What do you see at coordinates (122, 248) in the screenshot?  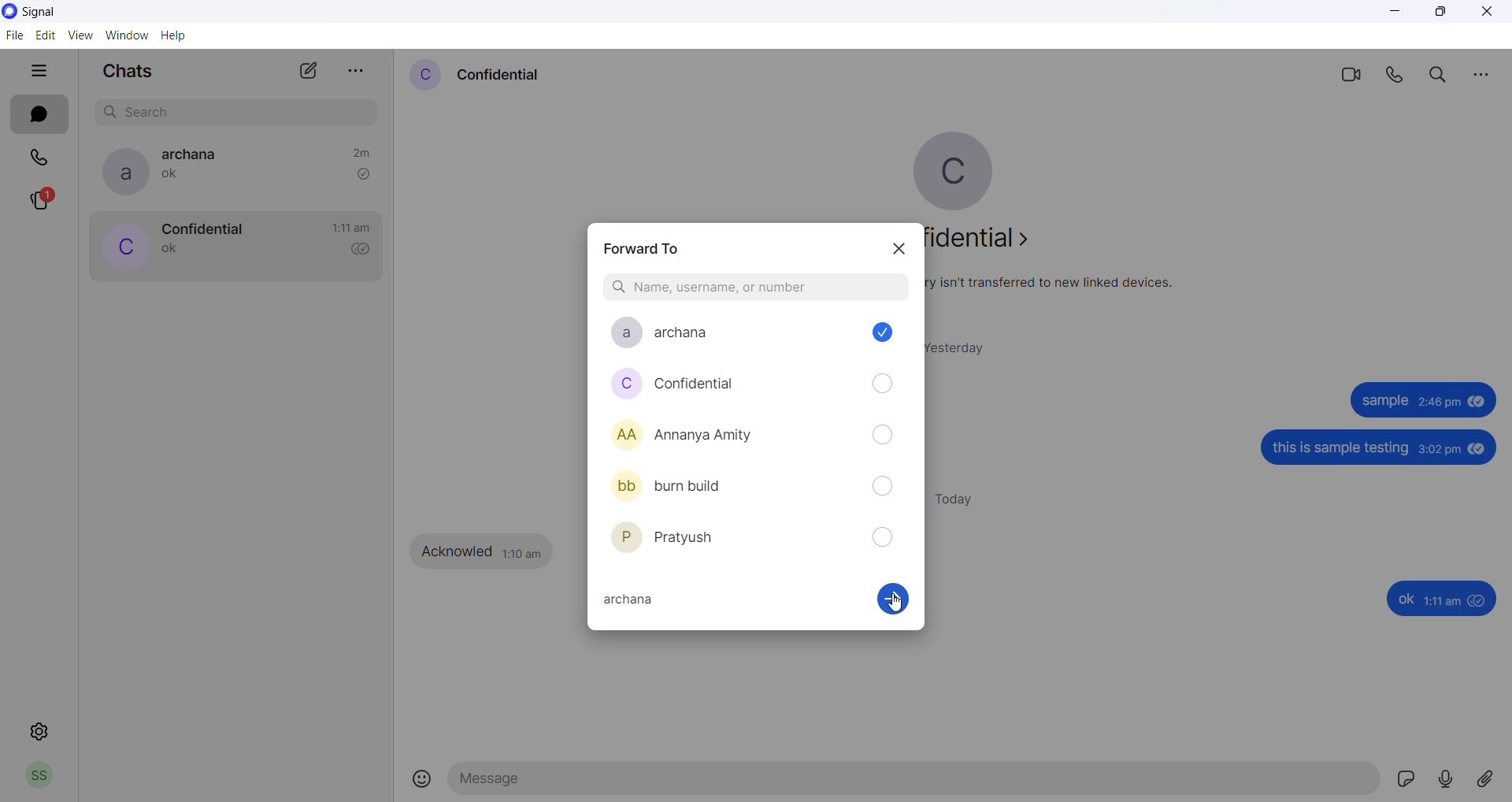 I see `profile picture` at bounding box center [122, 248].